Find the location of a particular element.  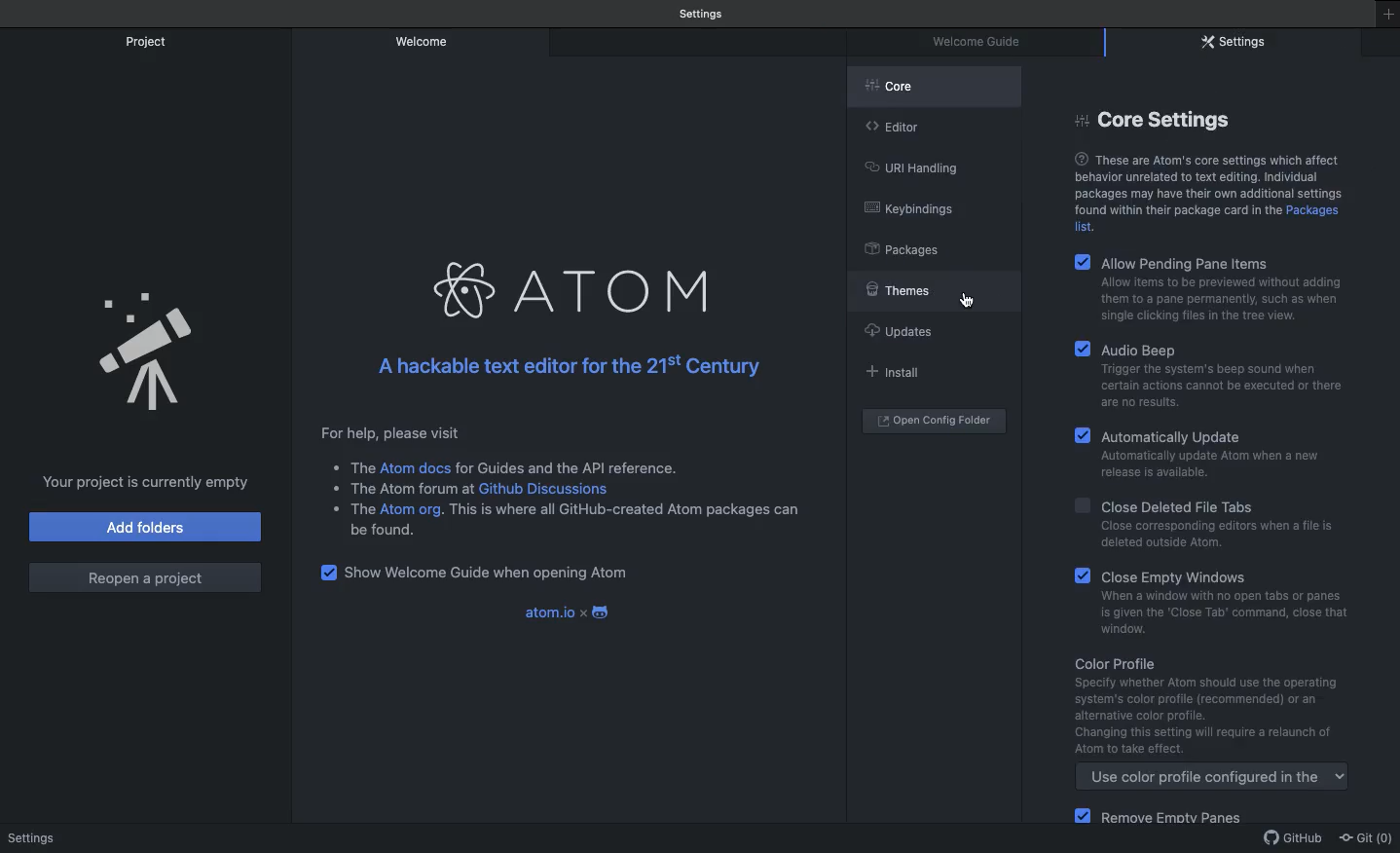

Automatically update is located at coordinates (1204, 435).